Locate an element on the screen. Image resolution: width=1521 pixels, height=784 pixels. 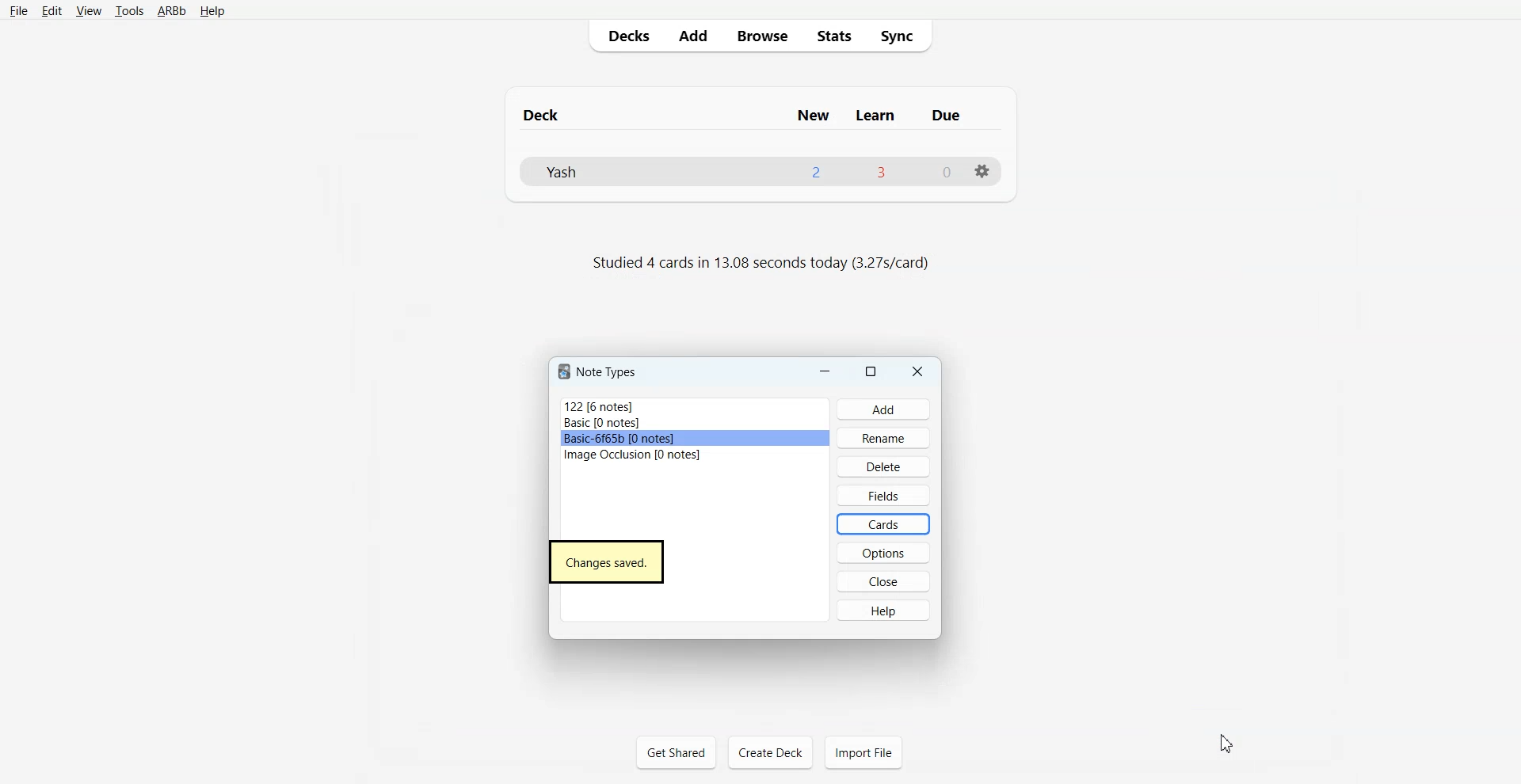
delete is located at coordinates (890, 466).